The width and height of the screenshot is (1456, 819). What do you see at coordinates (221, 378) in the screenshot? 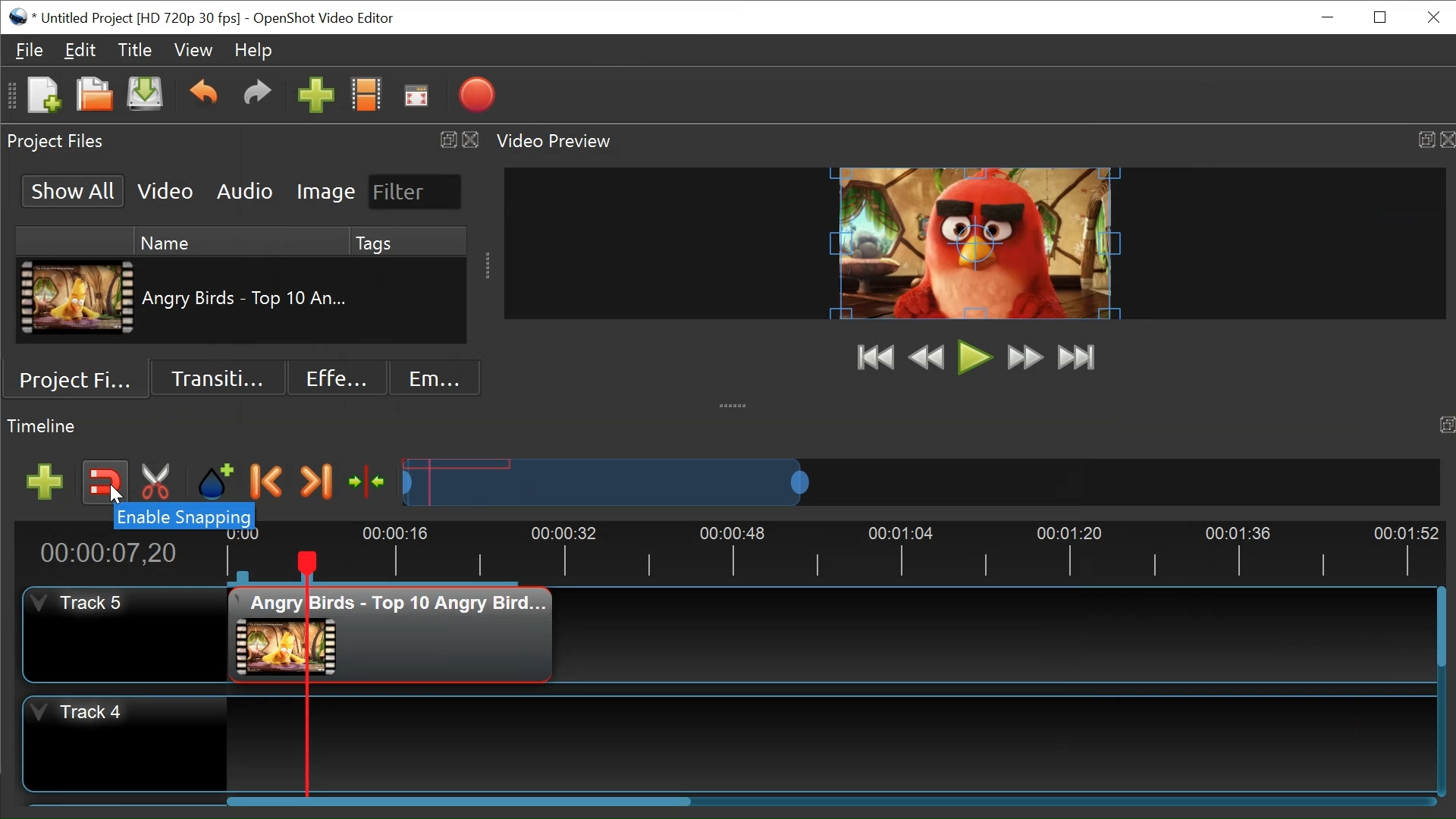
I see `Transition` at bounding box center [221, 378].